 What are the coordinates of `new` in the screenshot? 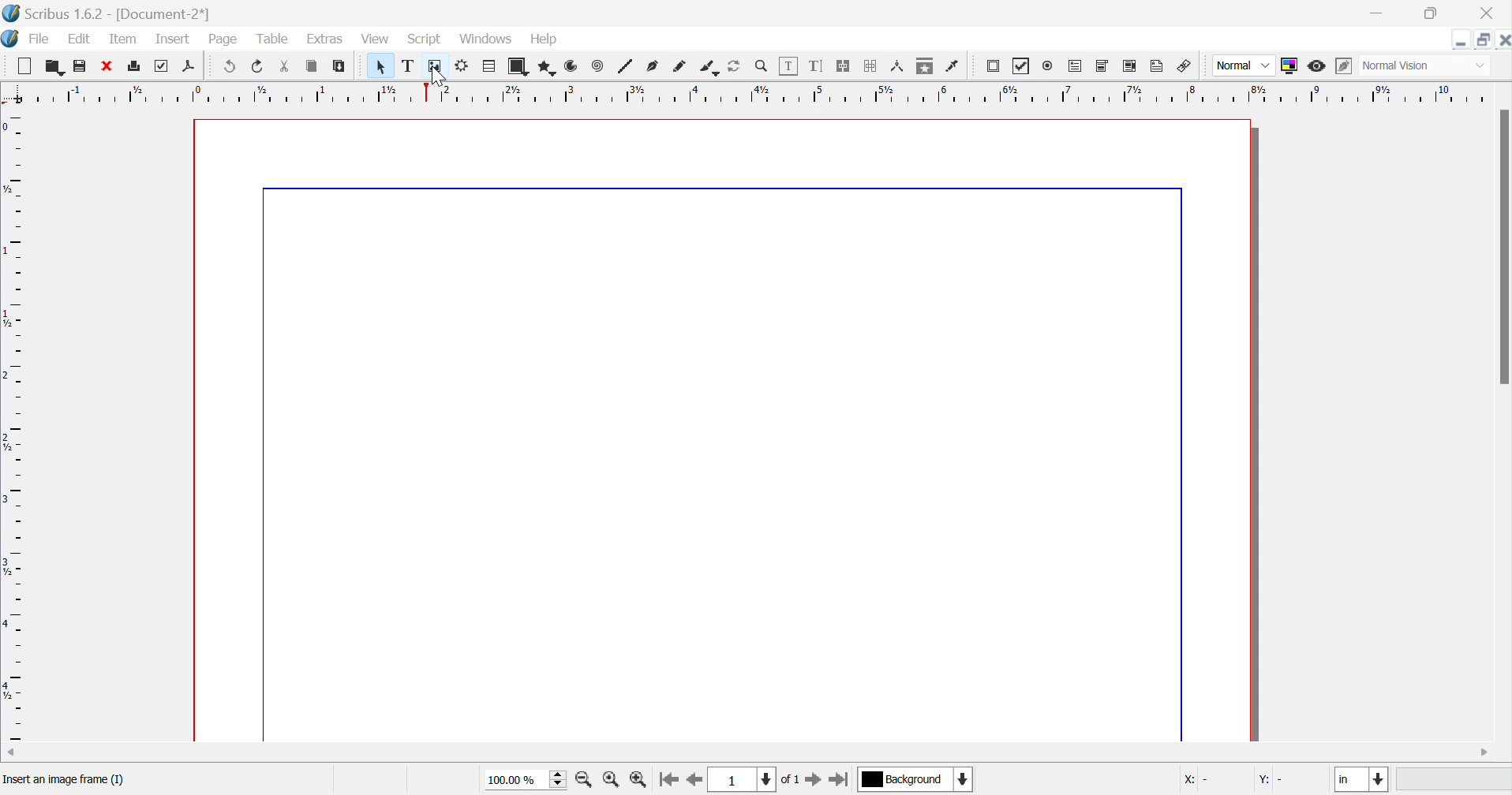 It's located at (22, 64).